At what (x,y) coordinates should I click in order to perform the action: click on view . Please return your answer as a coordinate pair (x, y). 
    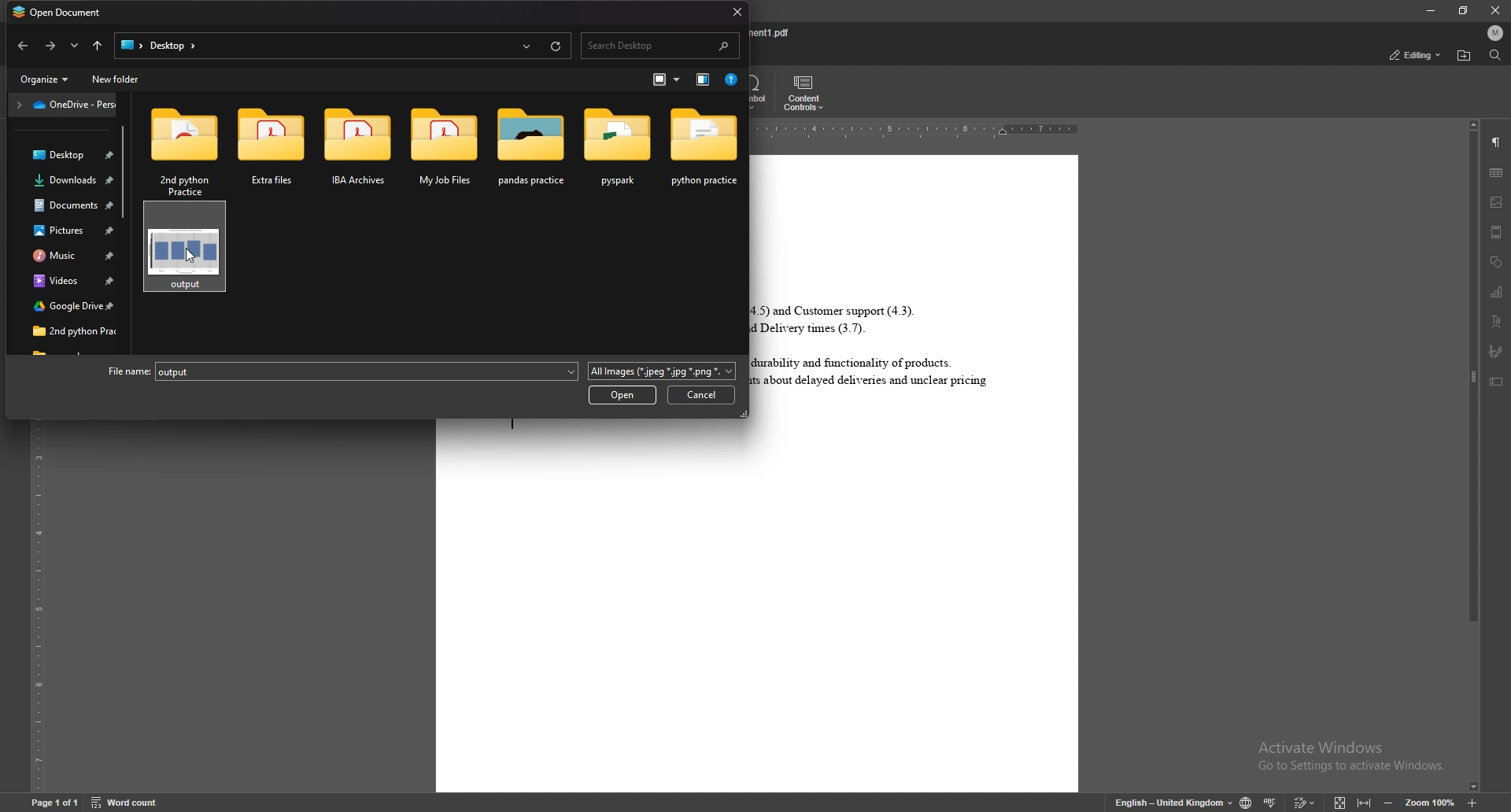
    Looking at the image, I should click on (703, 79).